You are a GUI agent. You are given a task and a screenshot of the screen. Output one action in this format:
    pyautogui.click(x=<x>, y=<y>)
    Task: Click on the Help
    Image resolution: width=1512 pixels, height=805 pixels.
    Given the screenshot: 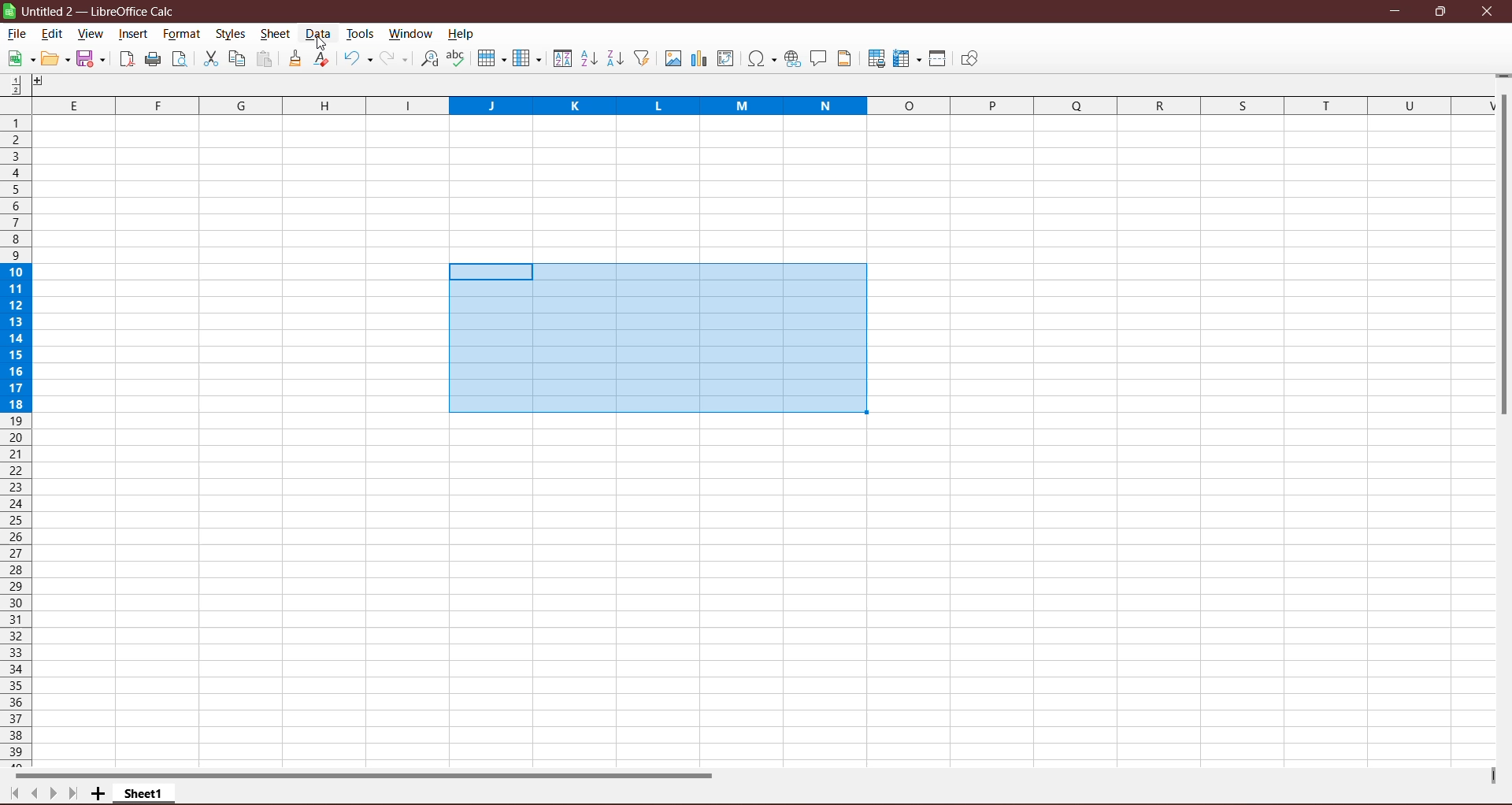 What is the action you would take?
    pyautogui.click(x=461, y=35)
    